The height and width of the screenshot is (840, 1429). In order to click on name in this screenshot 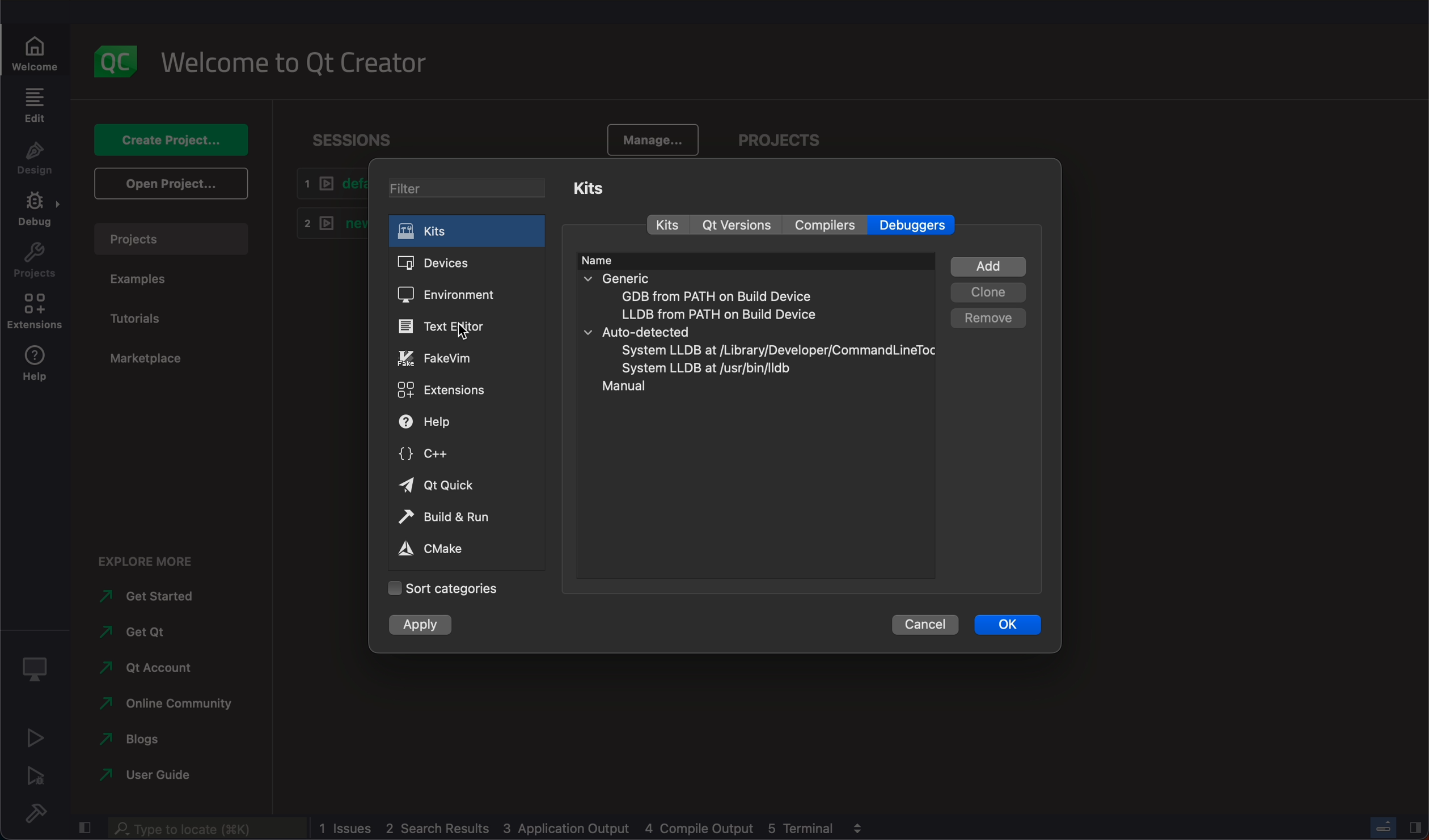, I will do `click(604, 261)`.